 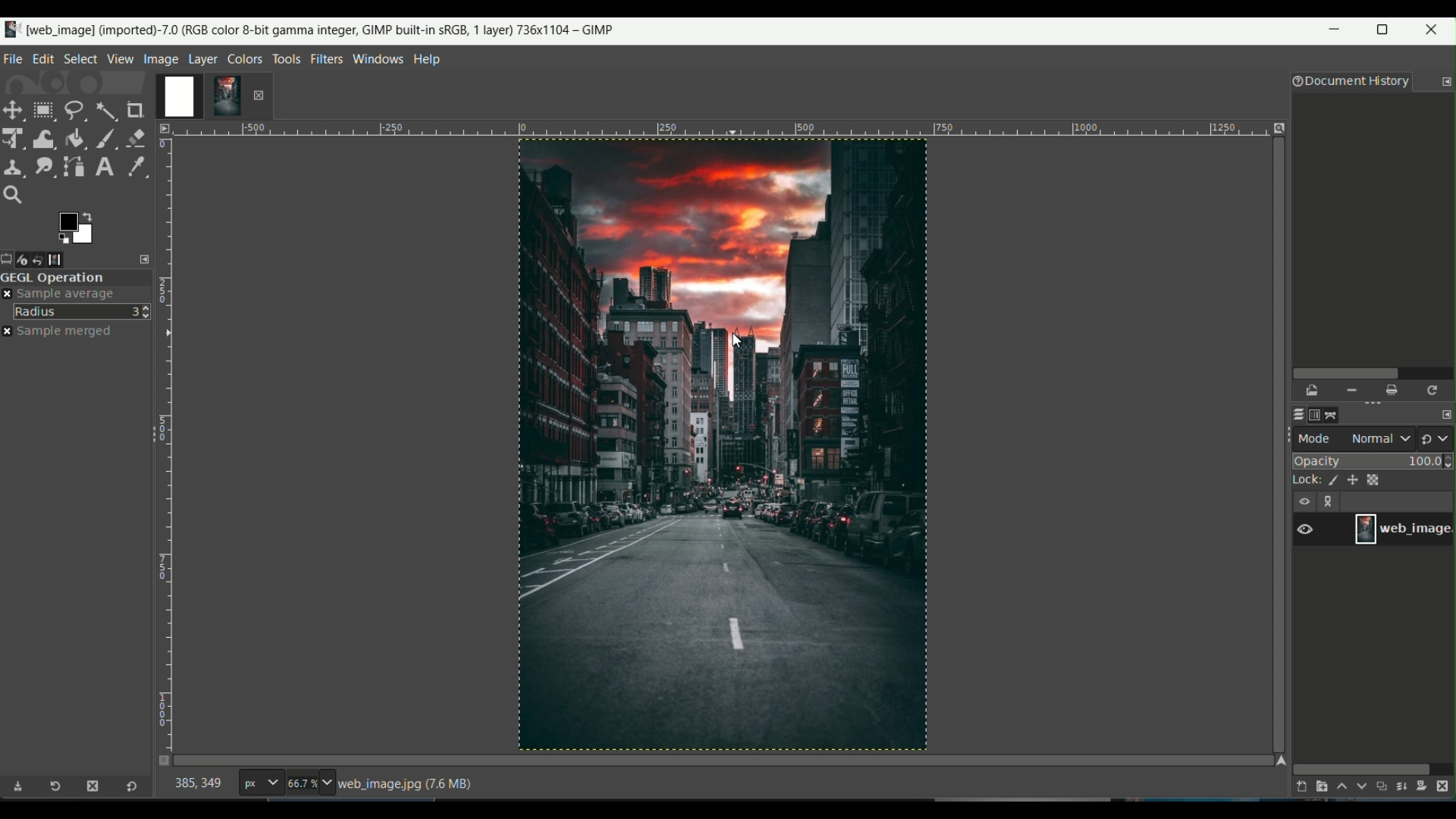 I want to click on transformation tool, so click(x=44, y=136).